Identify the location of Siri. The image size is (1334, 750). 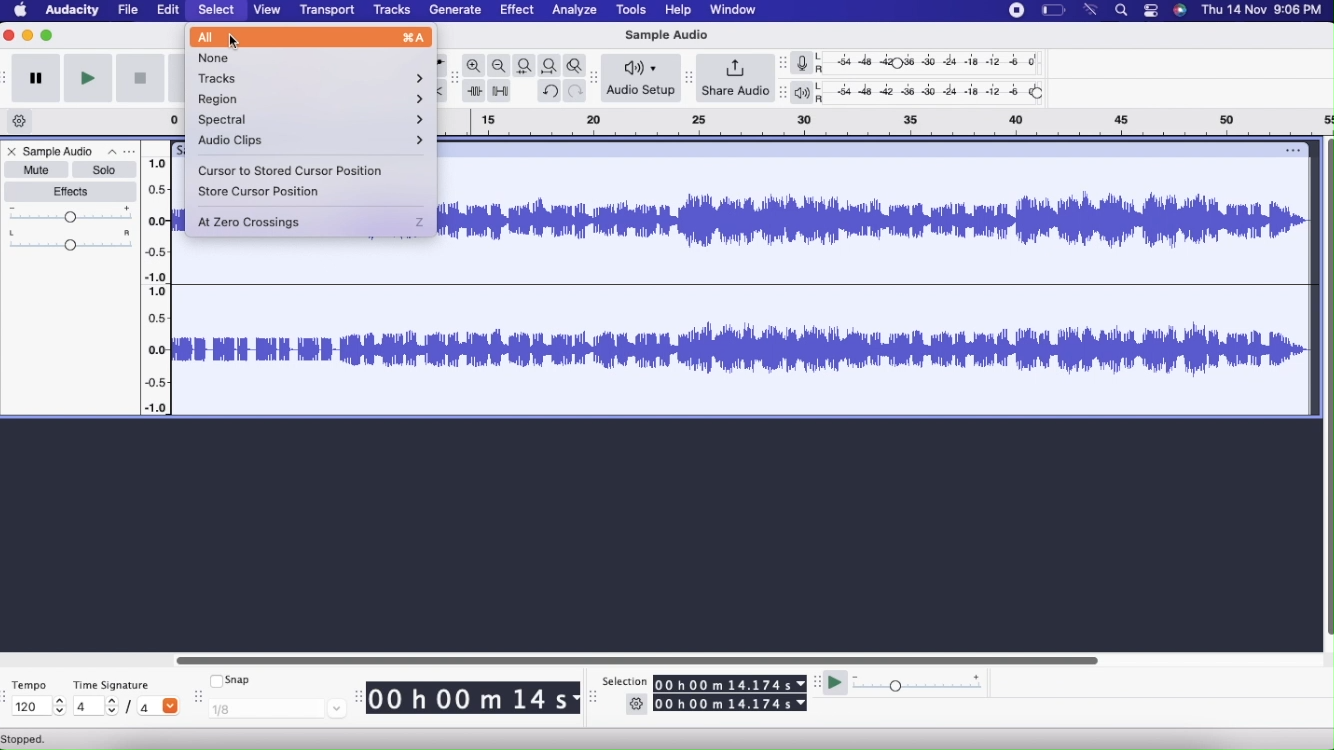
(1183, 11).